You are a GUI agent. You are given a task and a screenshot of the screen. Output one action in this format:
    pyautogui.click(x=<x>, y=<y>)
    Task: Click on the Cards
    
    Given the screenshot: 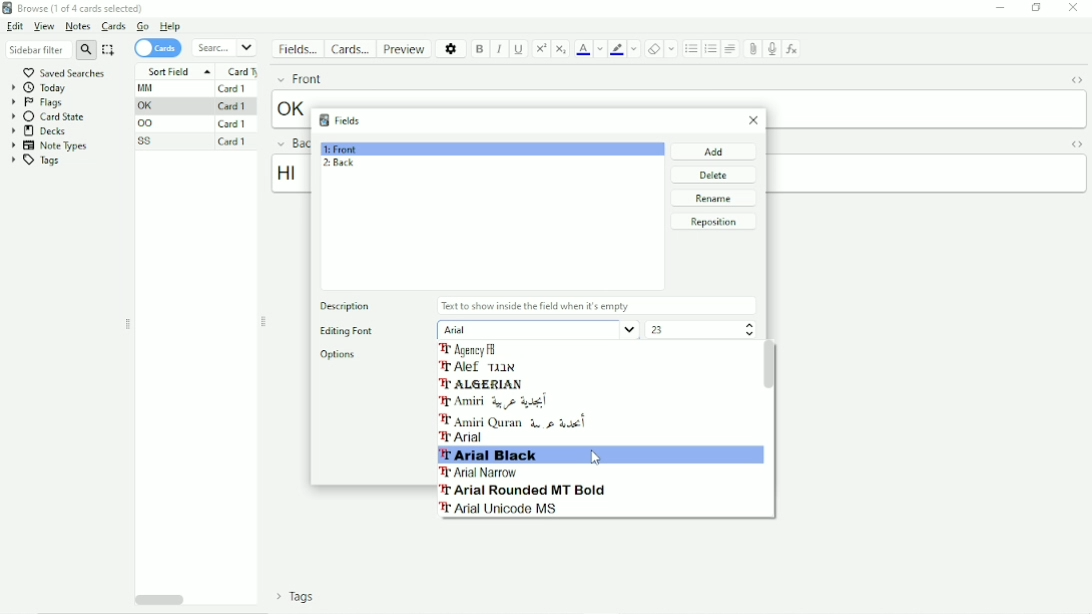 What is the action you would take?
    pyautogui.click(x=158, y=48)
    